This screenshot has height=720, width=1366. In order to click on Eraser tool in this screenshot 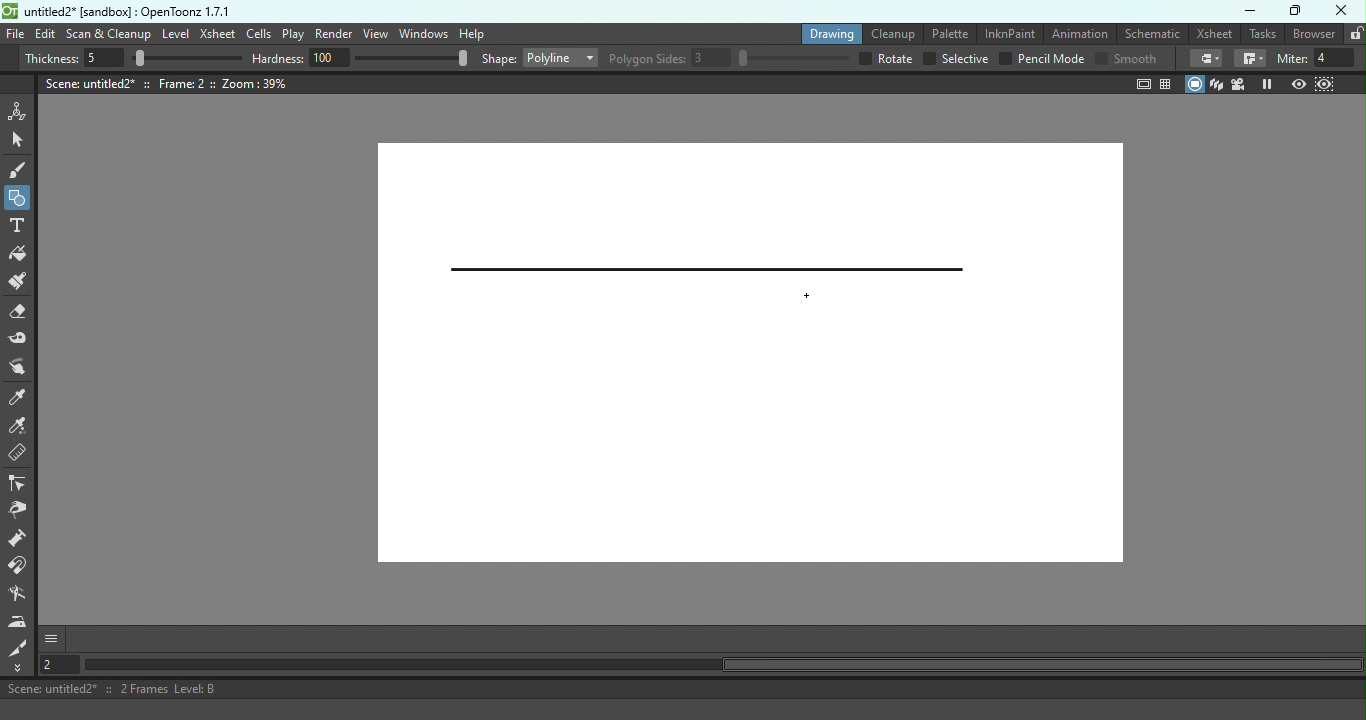, I will do `click(21, 315)`.